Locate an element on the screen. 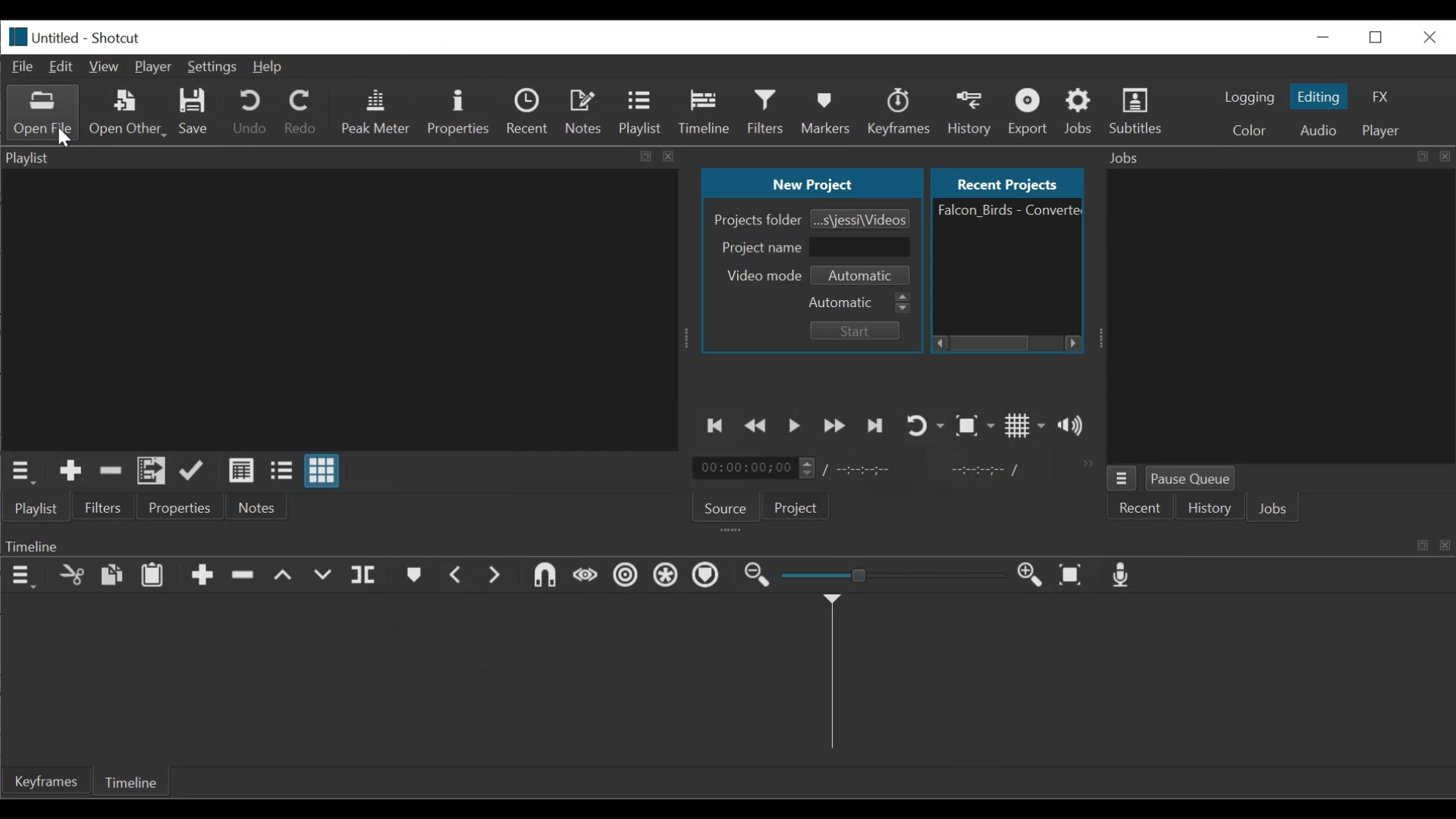  Audio is located at coordinates (1320, 130).